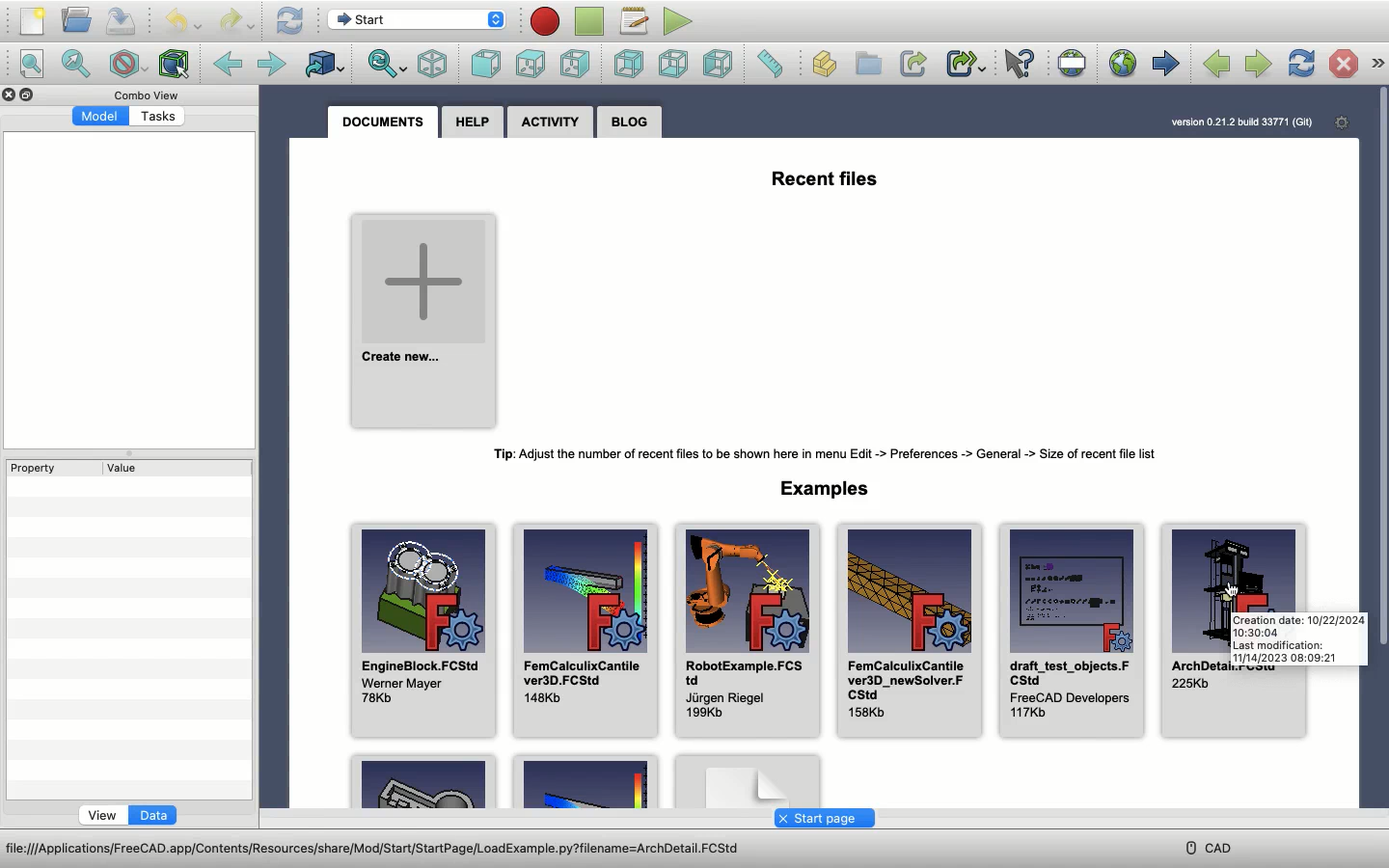  Describe the element at coordinates (98, 116) in the screenshot. I see `Model` at that location.